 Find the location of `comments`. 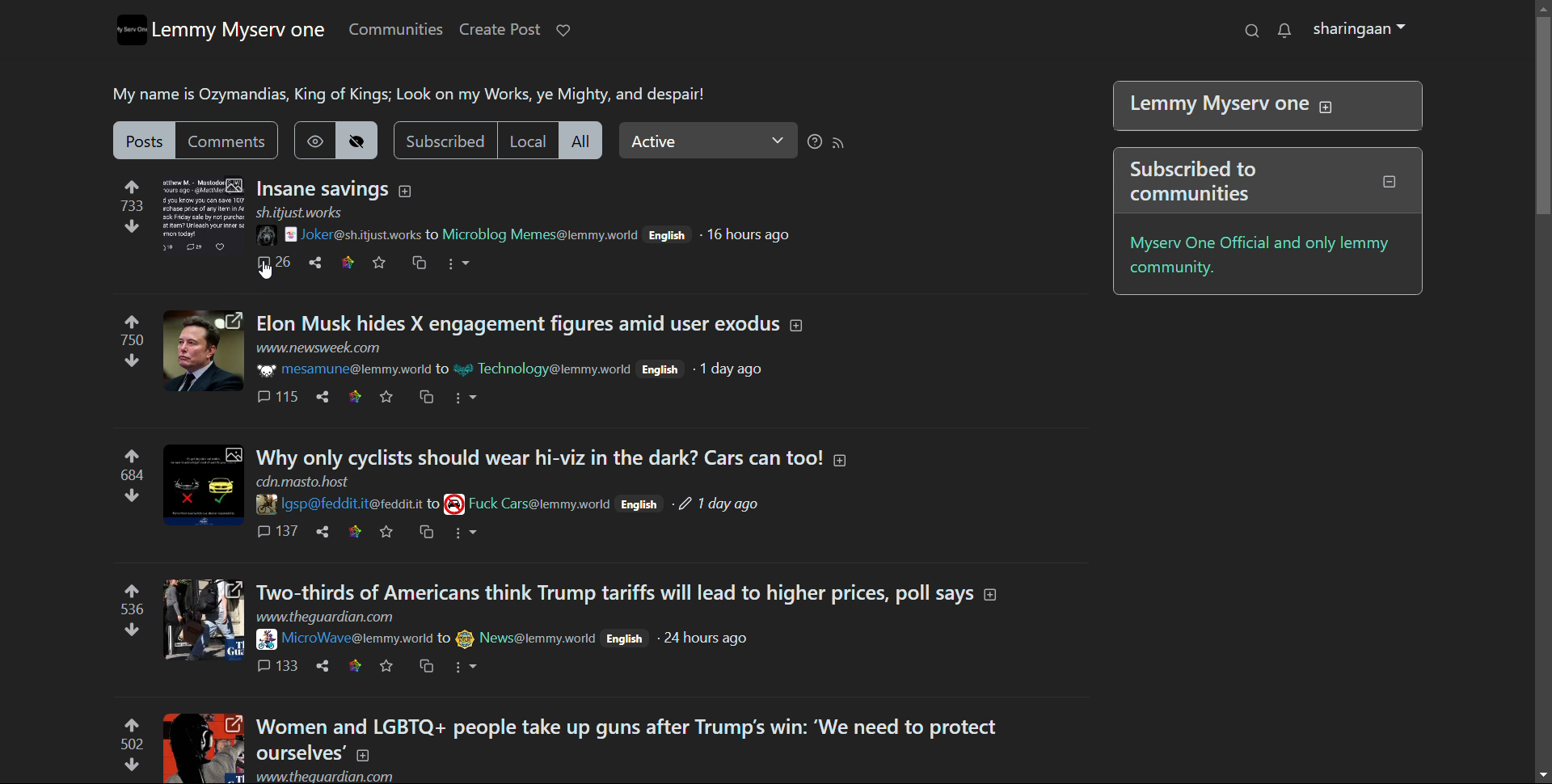

comments is located at coordinates (273, 263).